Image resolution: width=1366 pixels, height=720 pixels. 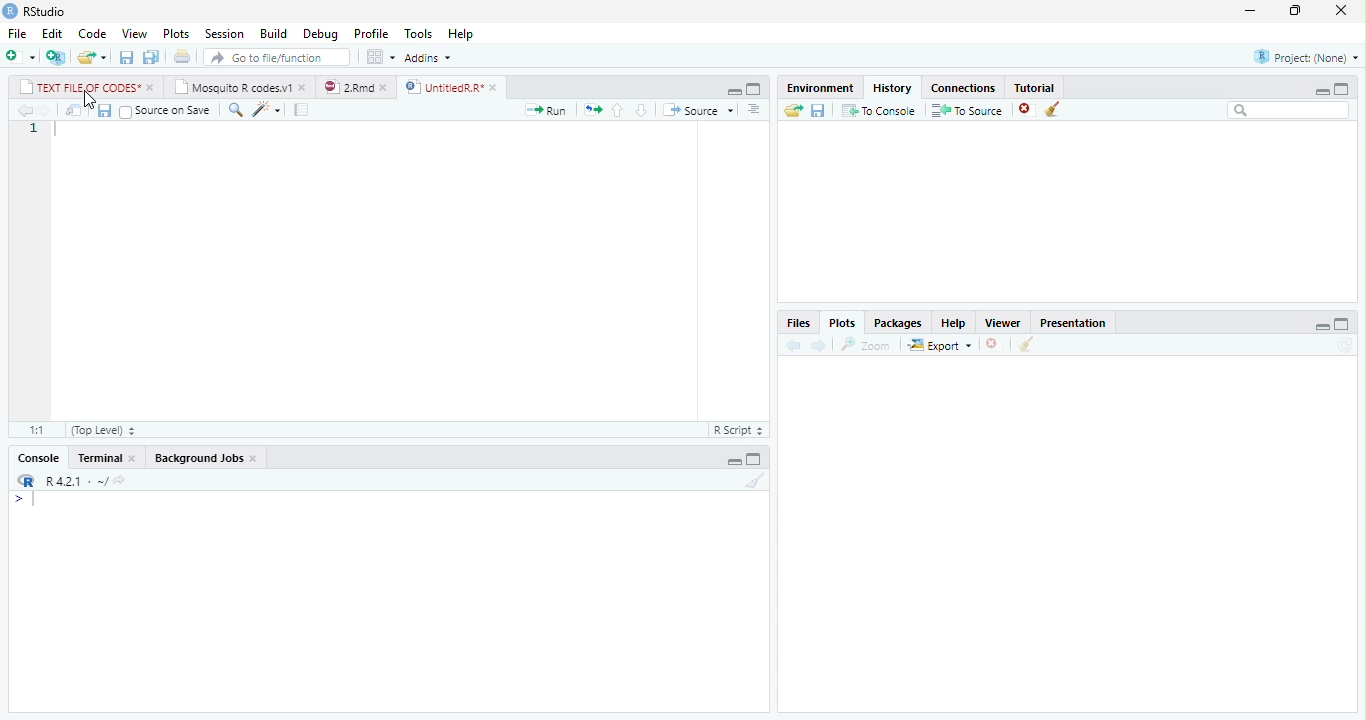 What do you see at coordinates (267, 110) in the screenshot?
I see `code tools` at bounding box center [267, 110].